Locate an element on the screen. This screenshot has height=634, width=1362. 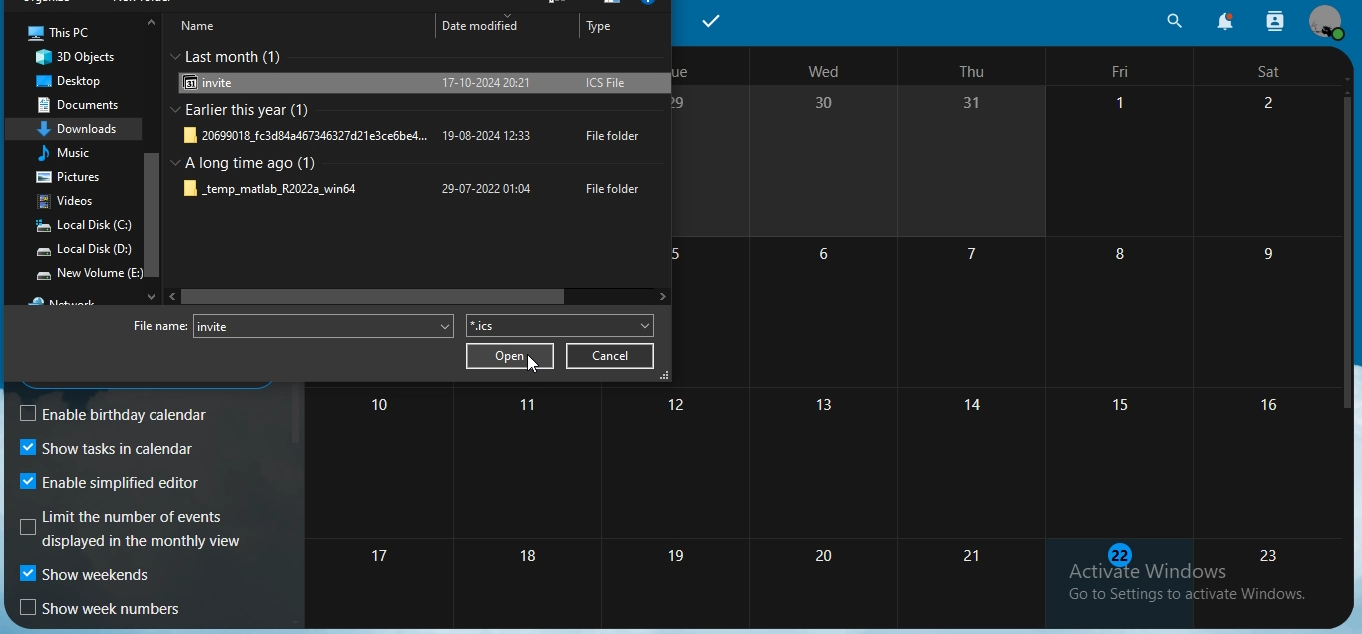
show tasks in calendar is located at coordinates (107, 449).